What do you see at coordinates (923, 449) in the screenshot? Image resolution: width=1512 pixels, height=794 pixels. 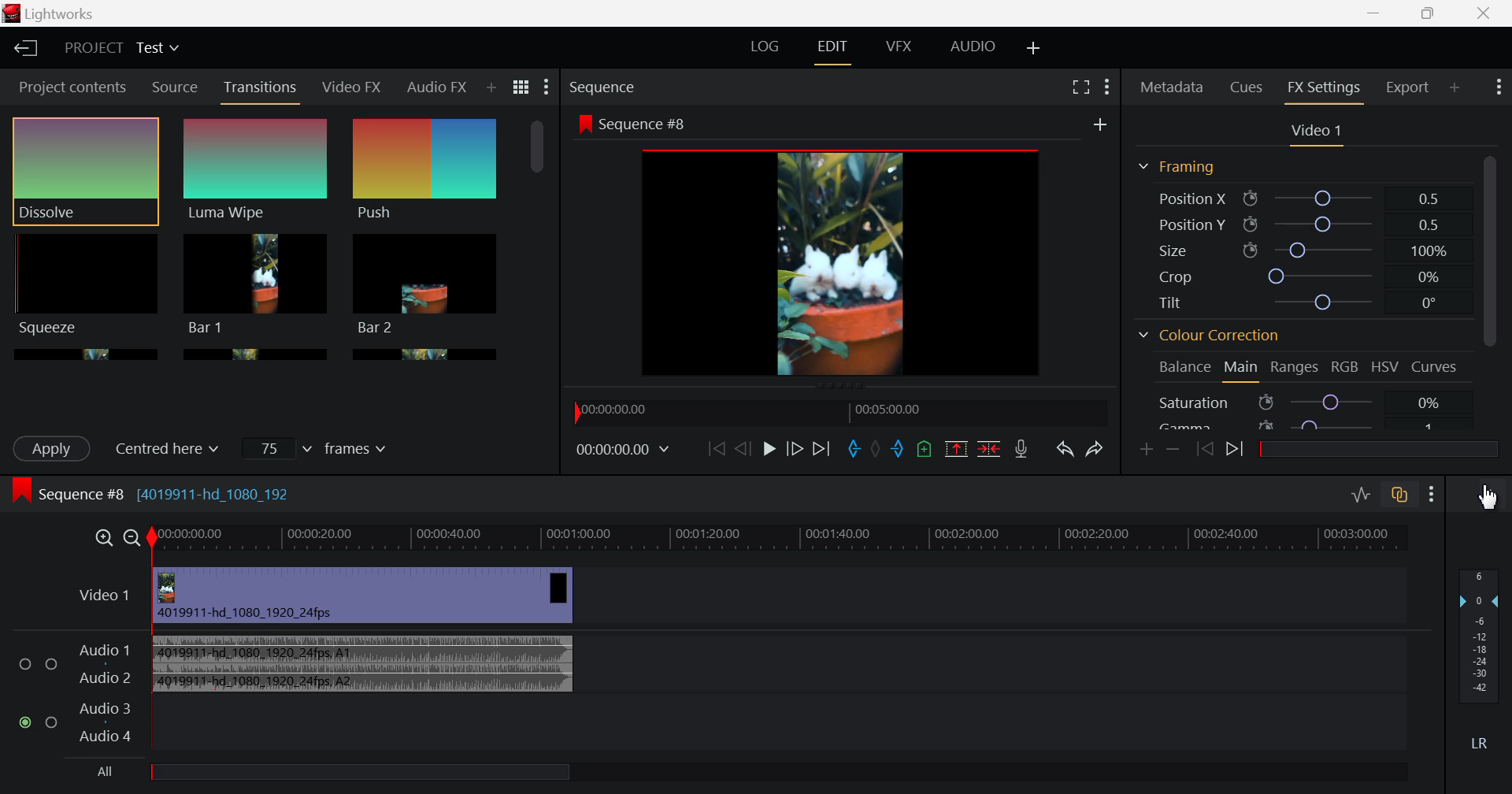 I see `Mark Cue` at bounding box center [923, 449].